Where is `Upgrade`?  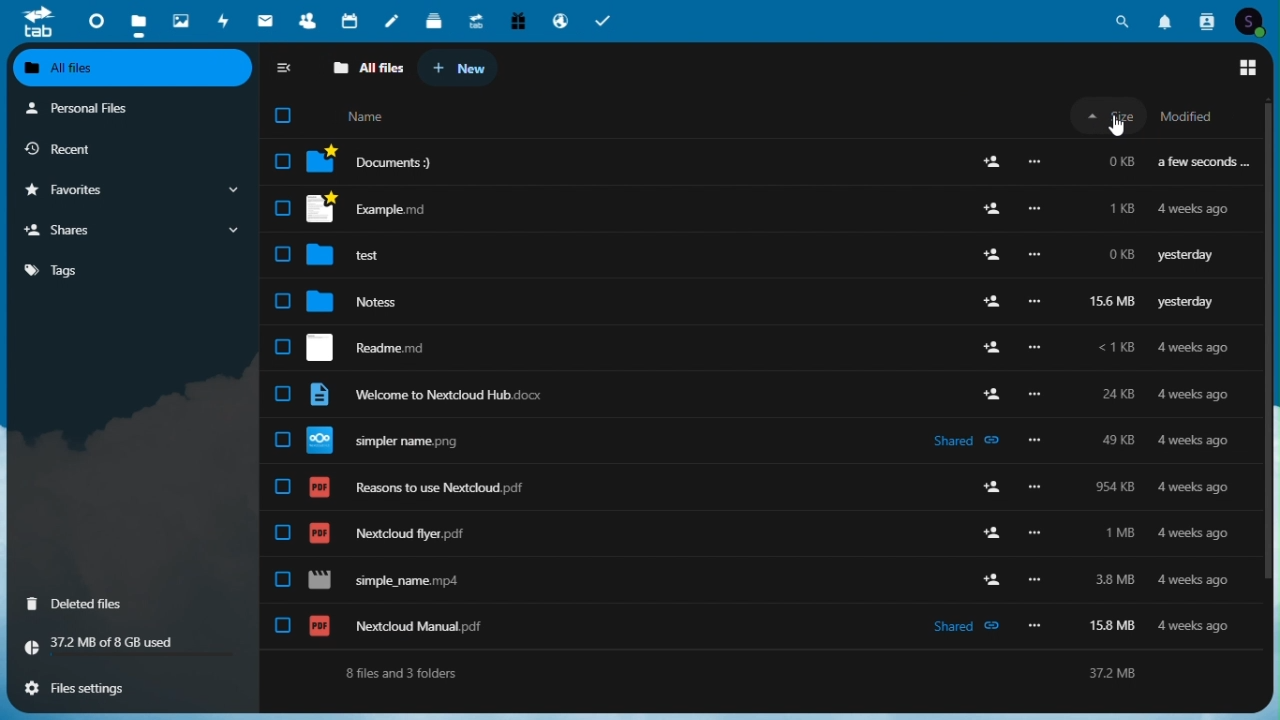
Upgrade is located at coordinates (475, 17).